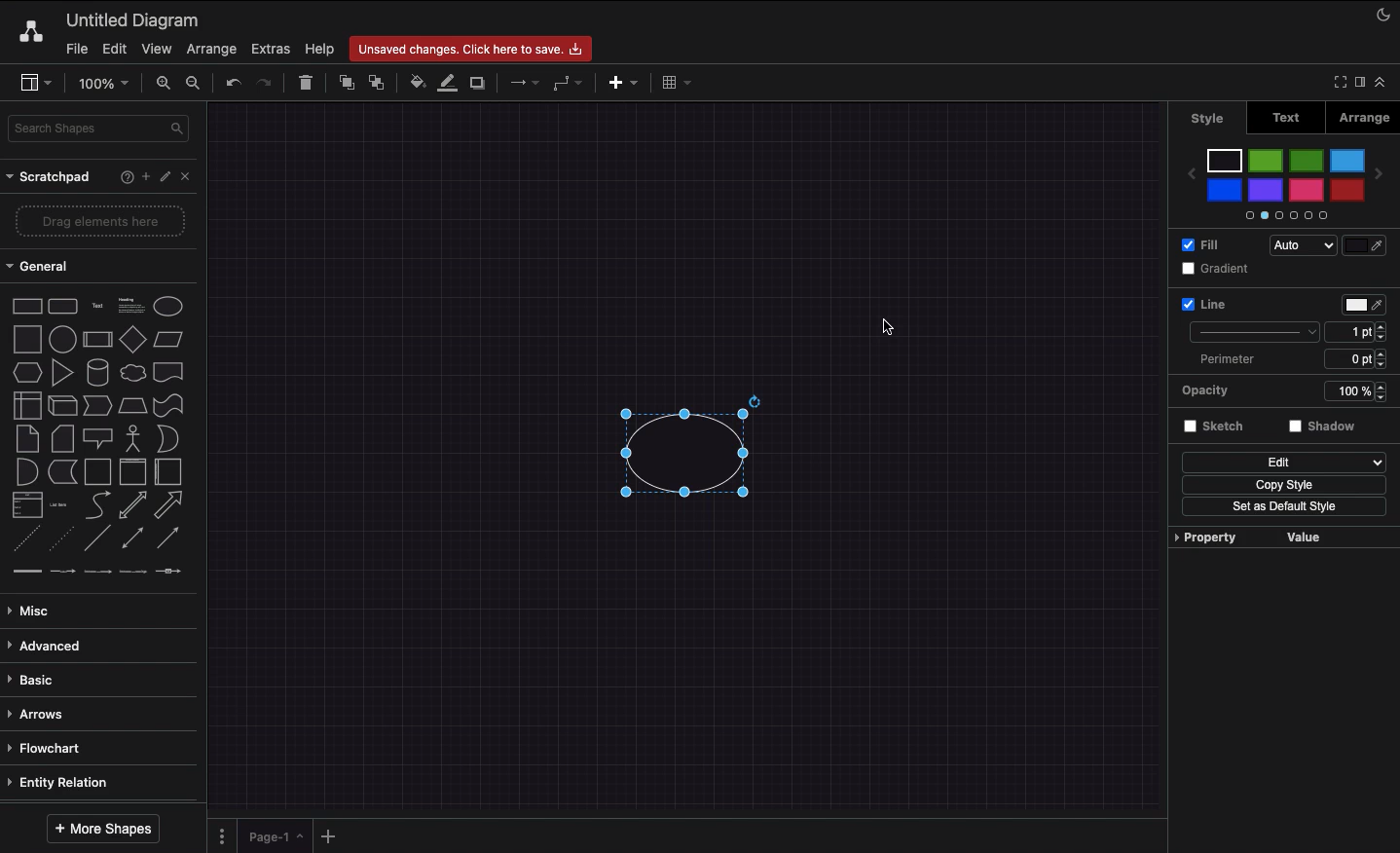 The width and height of the screenshot is (1400, 853). Describe the element at coordinates (618, 81) in the screenshot. I see `Insert` at that location.